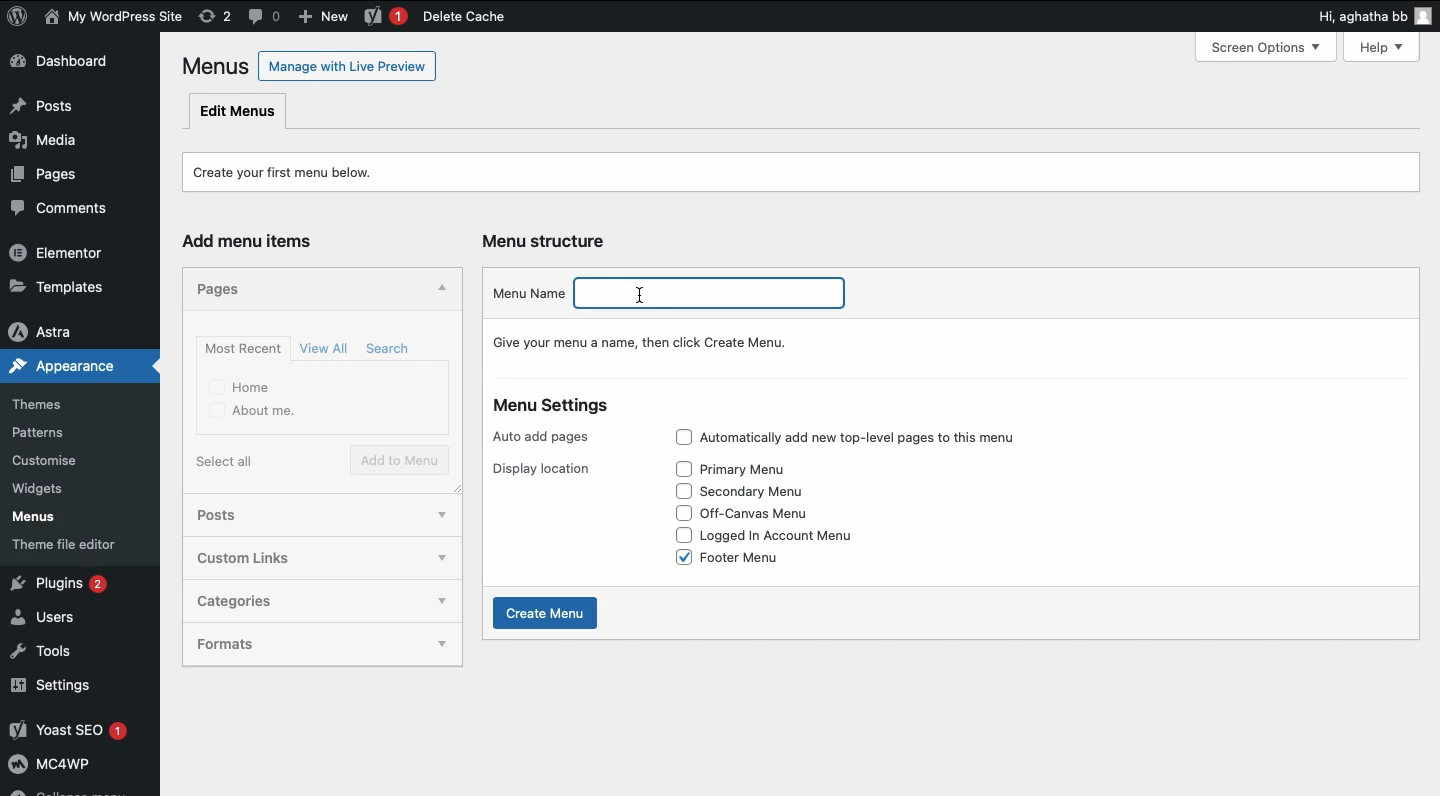 Image resolution: width=1440 pixels, height=796 pixels. What do you see at coordinates (651, 341) in the screenshot?
I see `Give your menu a name, then click Create Menu.` at bounding box center [651, 341].